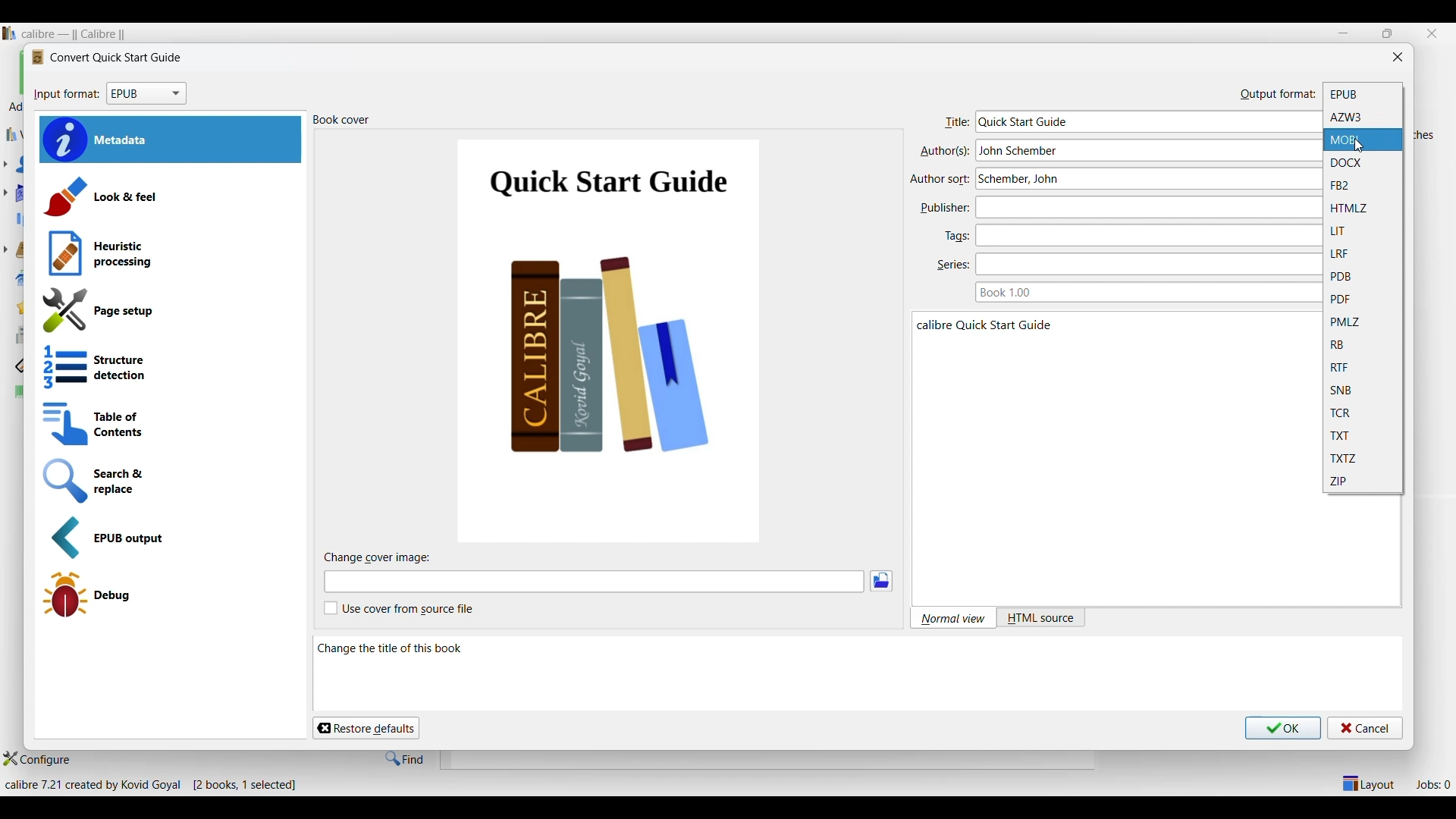  Describe the element at coordinates (167, 595) in the screenshot. I see `Debug` at that location.